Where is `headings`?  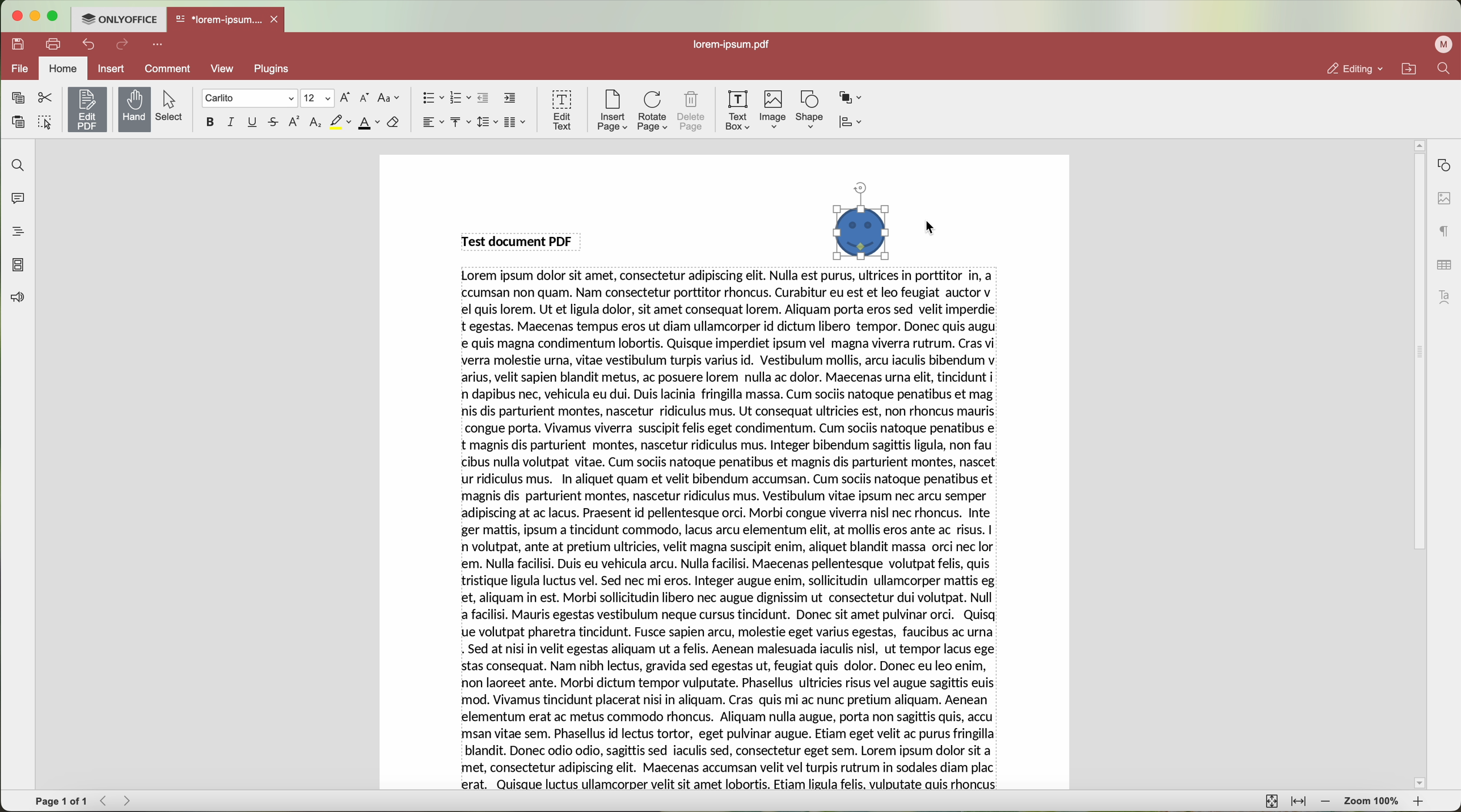
headings is located at coordinates (17, 232).